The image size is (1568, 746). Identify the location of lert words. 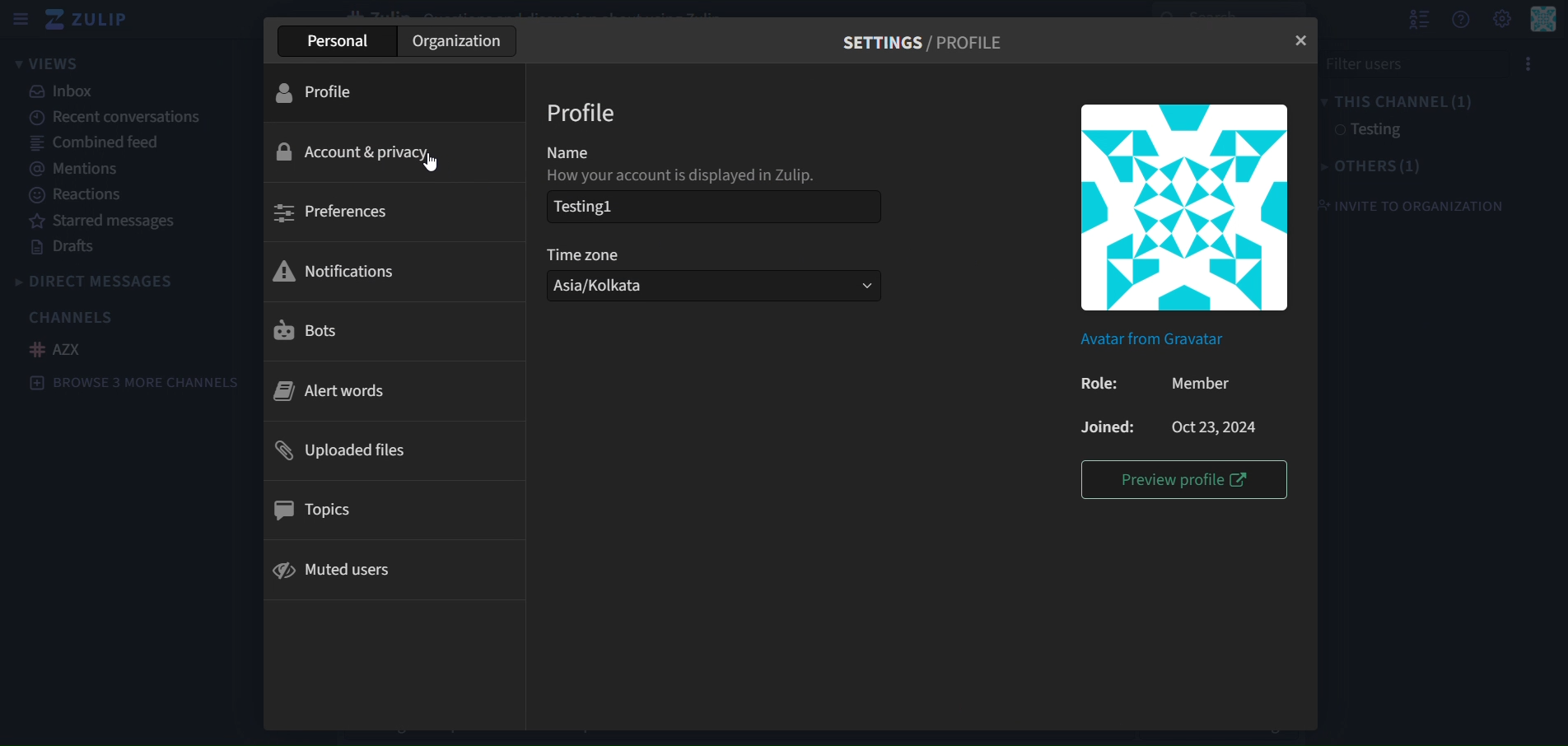
(331, 394).